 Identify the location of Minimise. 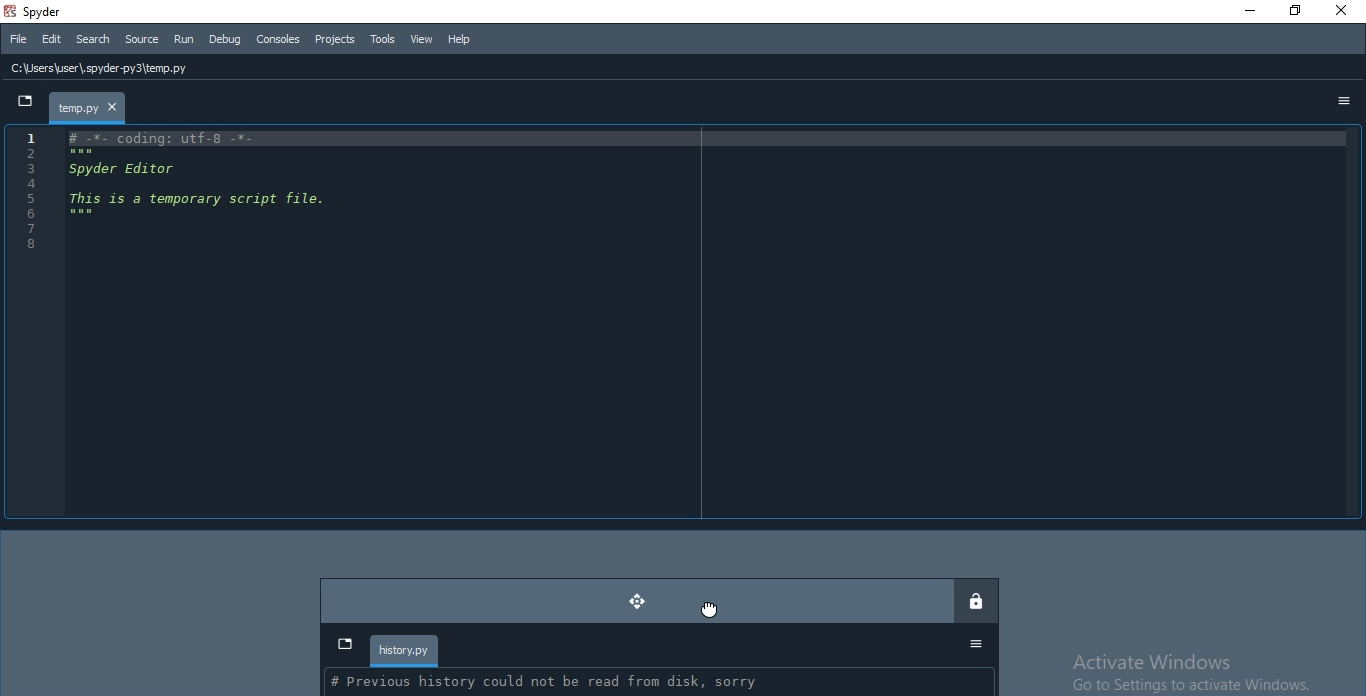
(1246, 9).